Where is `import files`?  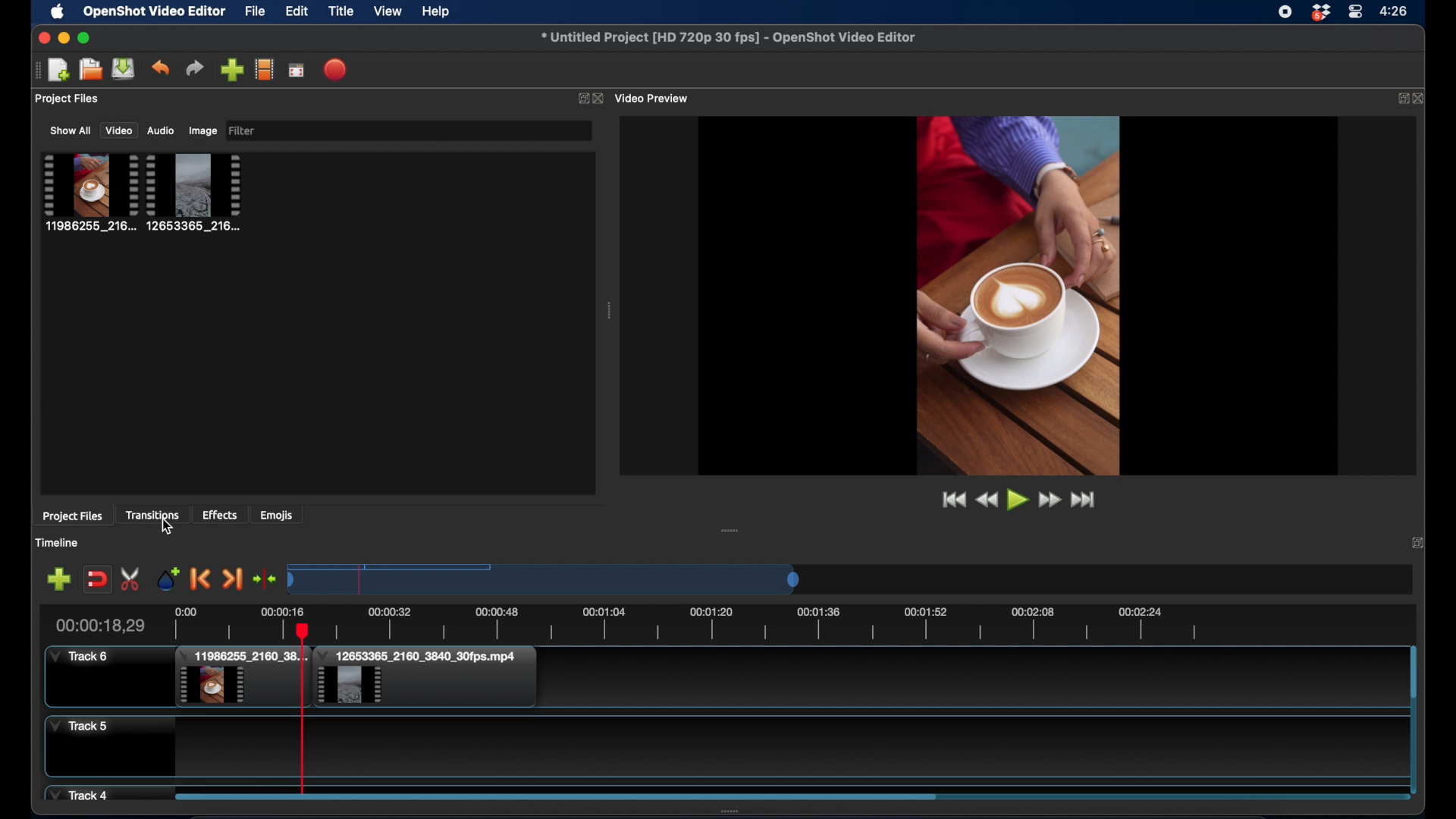
import files is located at coordinates (231, 70).